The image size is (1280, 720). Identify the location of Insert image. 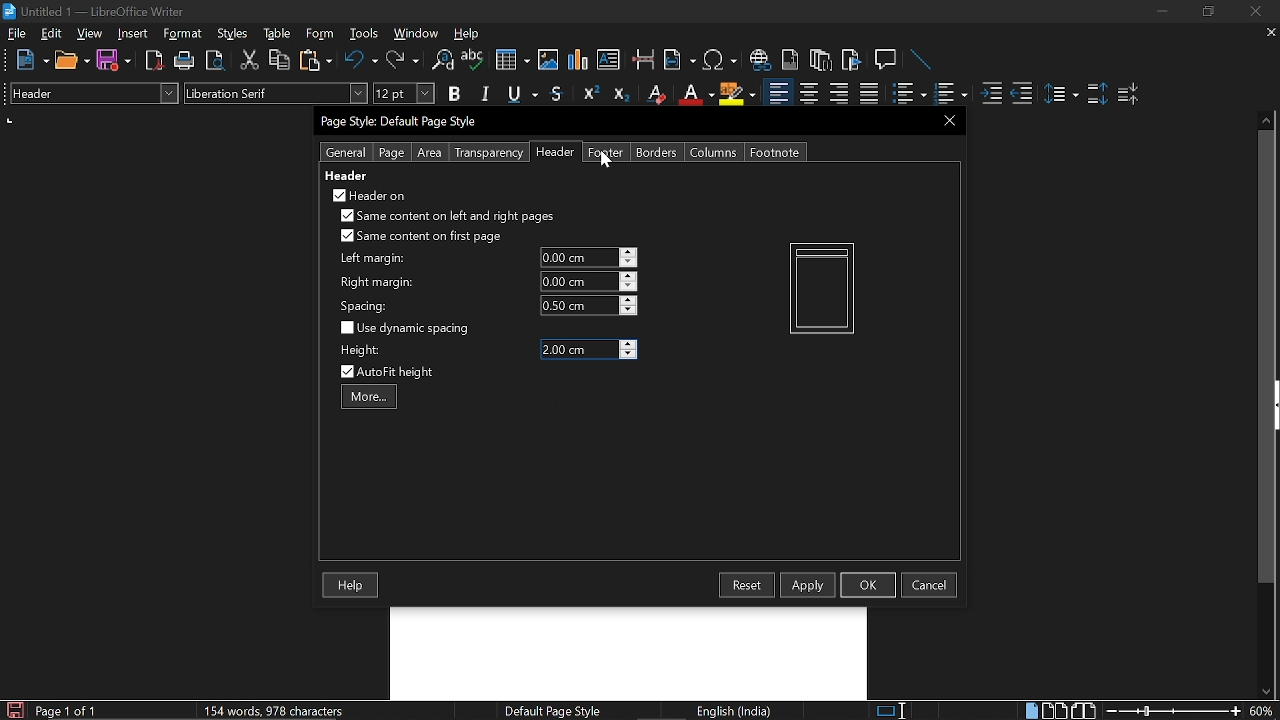
(550, 59).